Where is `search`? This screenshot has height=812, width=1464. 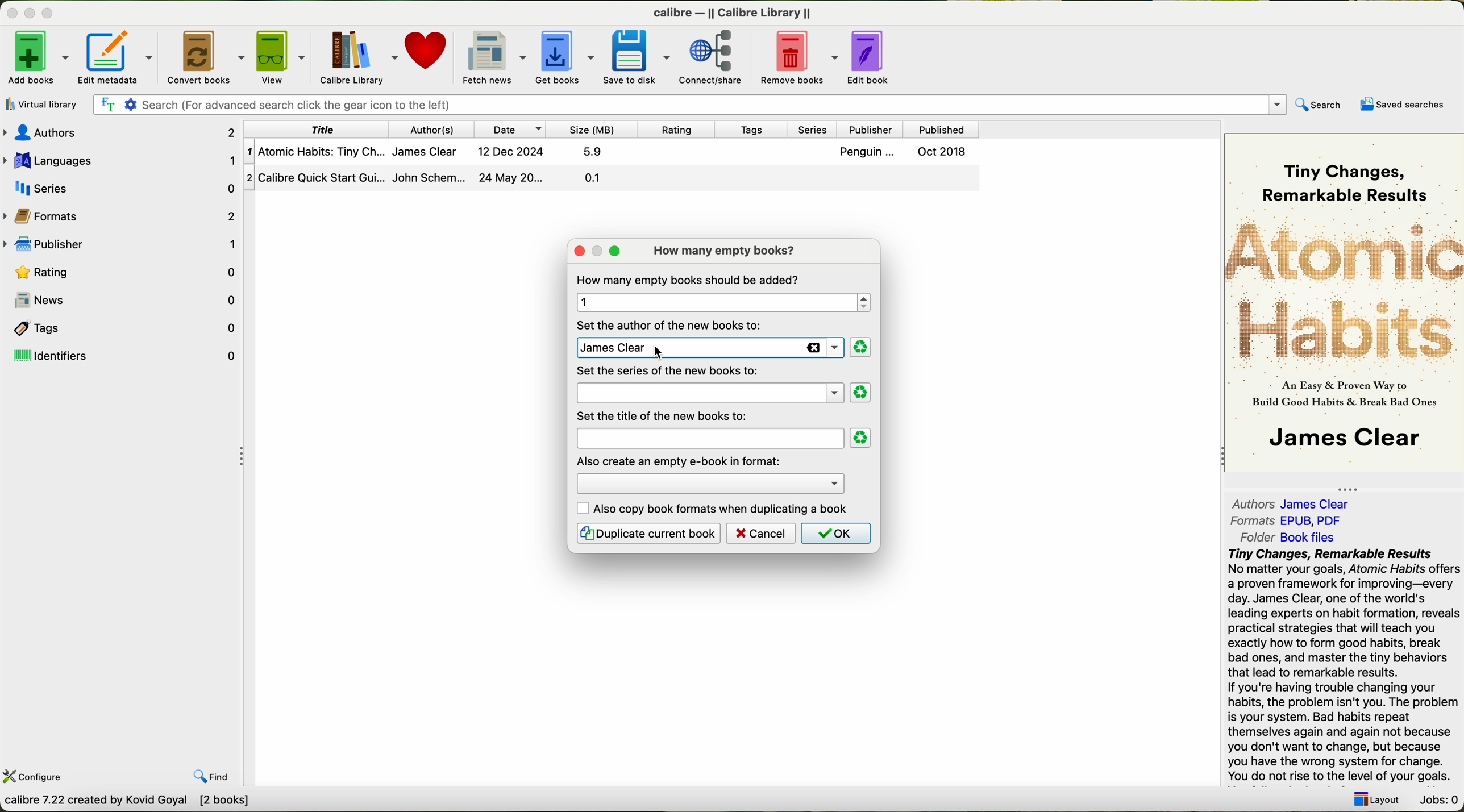 search is located at coordinates (1321, 103).